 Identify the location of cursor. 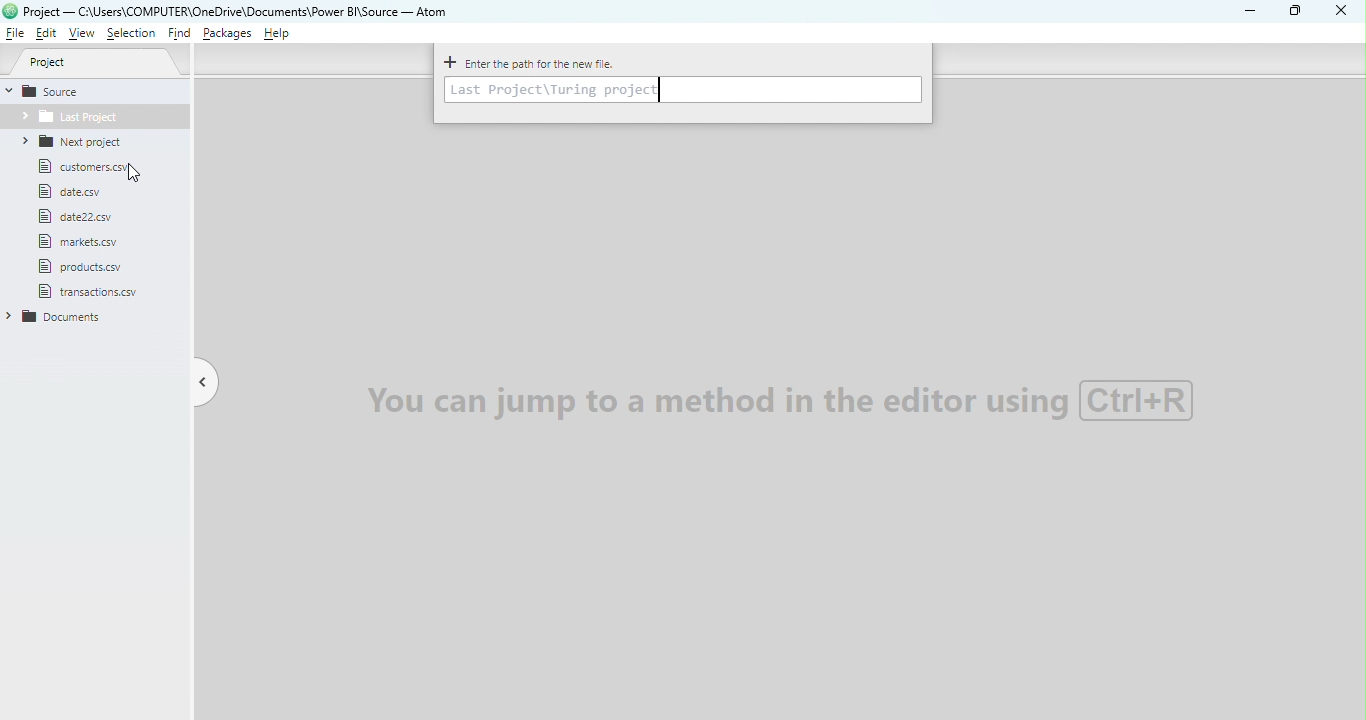
(137, 176).